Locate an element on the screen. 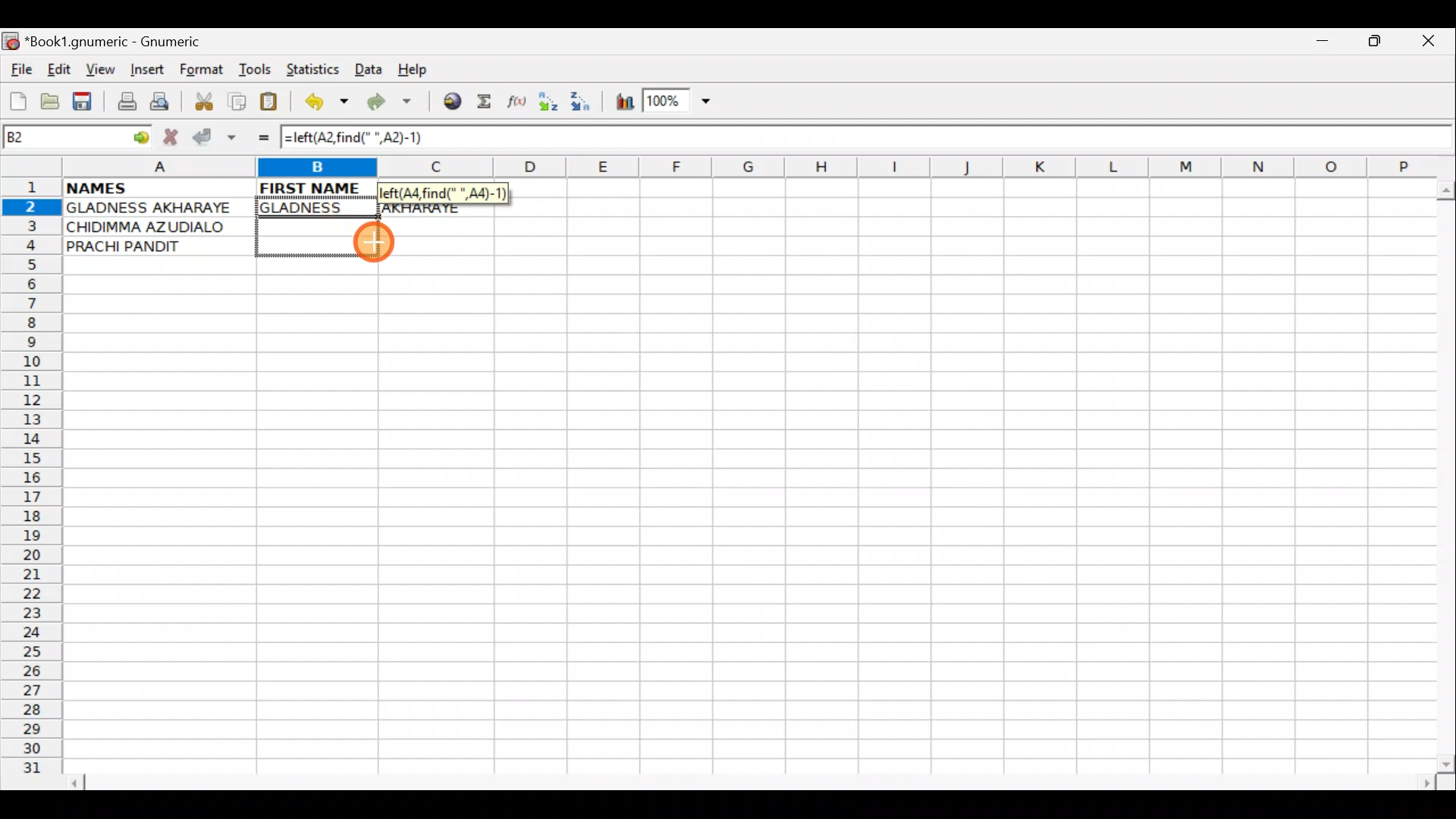 The width and height of the screenshot is (1456, 819). Gnumeric logo is located at coordinates (11, 42).